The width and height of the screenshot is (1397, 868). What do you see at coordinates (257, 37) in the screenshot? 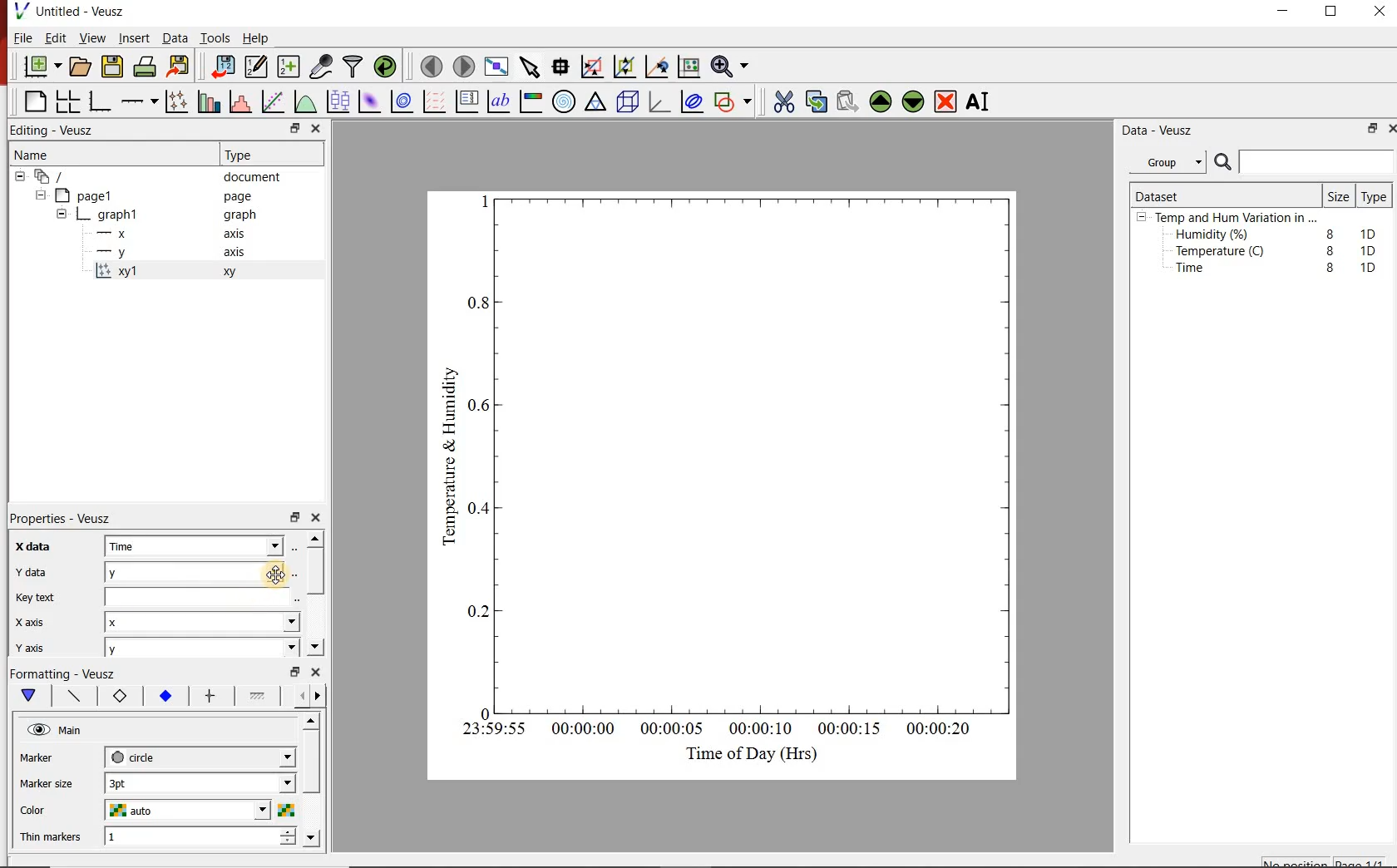
I see `Help` at bounding box center [257, 37].